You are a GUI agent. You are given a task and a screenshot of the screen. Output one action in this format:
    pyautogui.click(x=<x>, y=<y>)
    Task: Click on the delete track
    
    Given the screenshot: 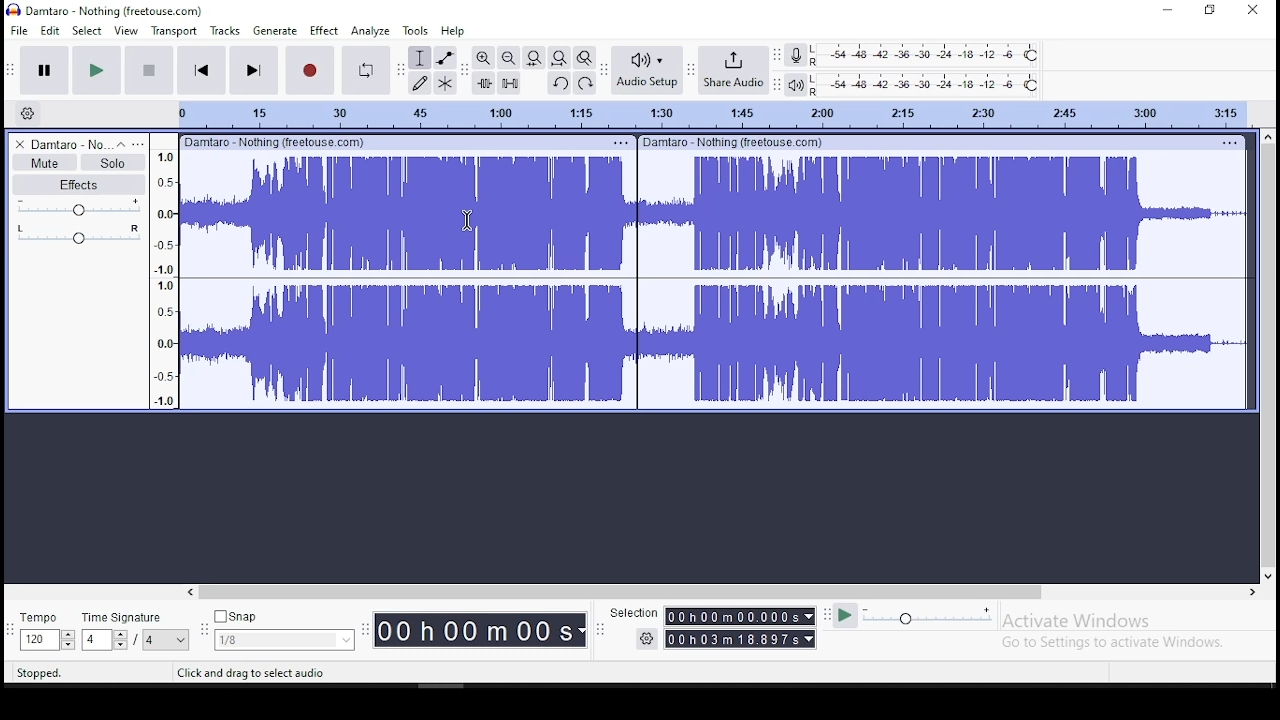 What is the action you would take?
    pyautogui.click(x=17, y=145)
    